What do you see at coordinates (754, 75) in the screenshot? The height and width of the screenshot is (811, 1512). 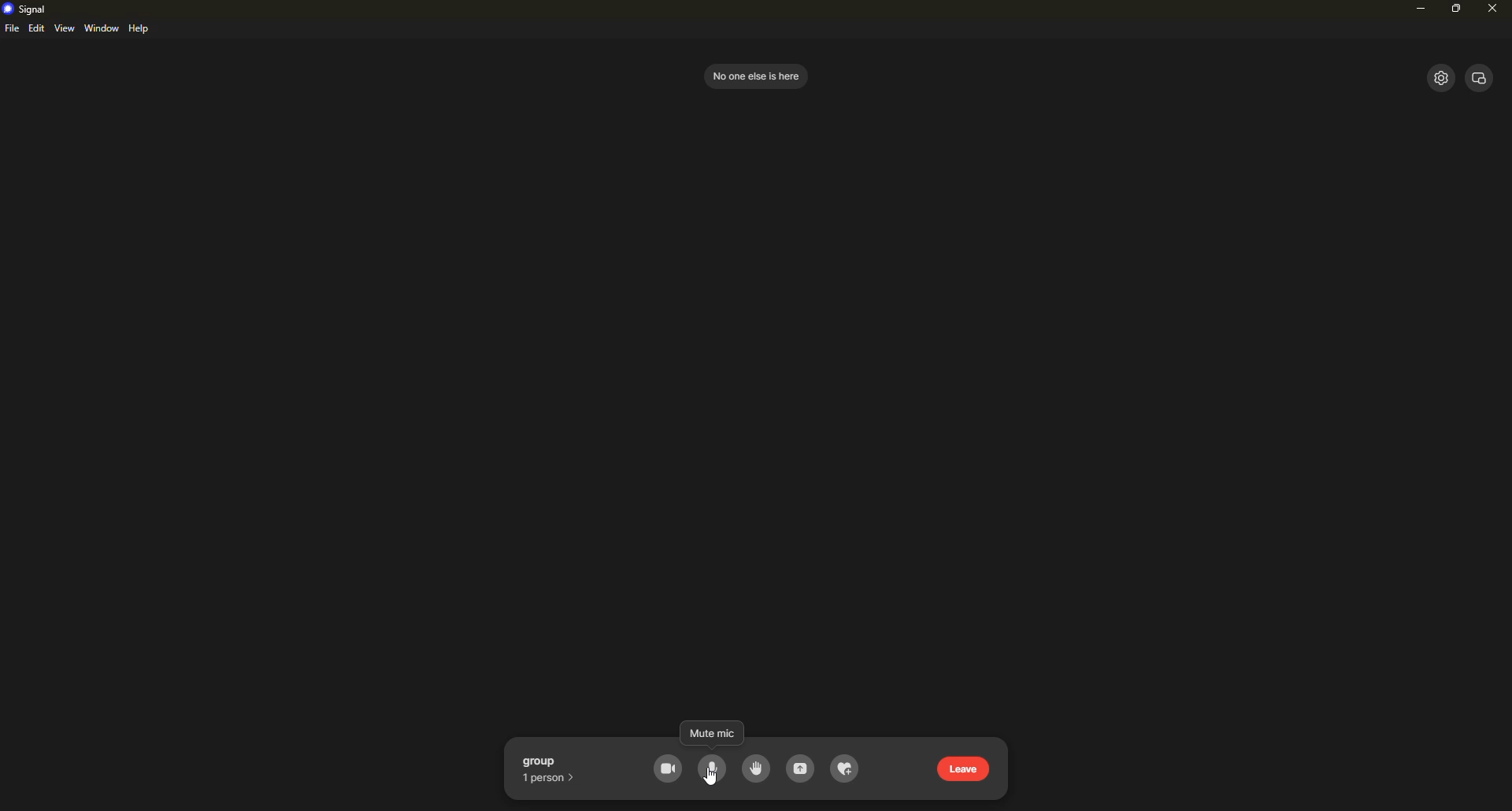 I see `no one else is here` at bounding box center [754, 75].